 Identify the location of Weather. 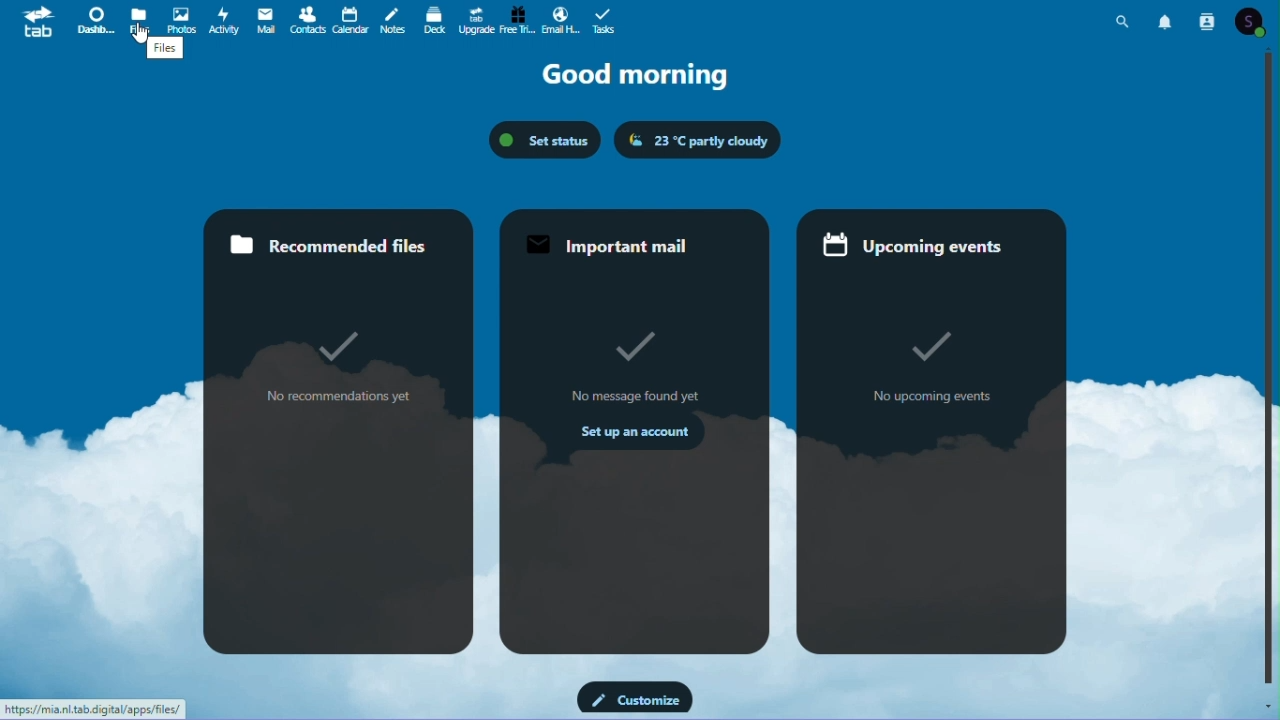
(695, 140).